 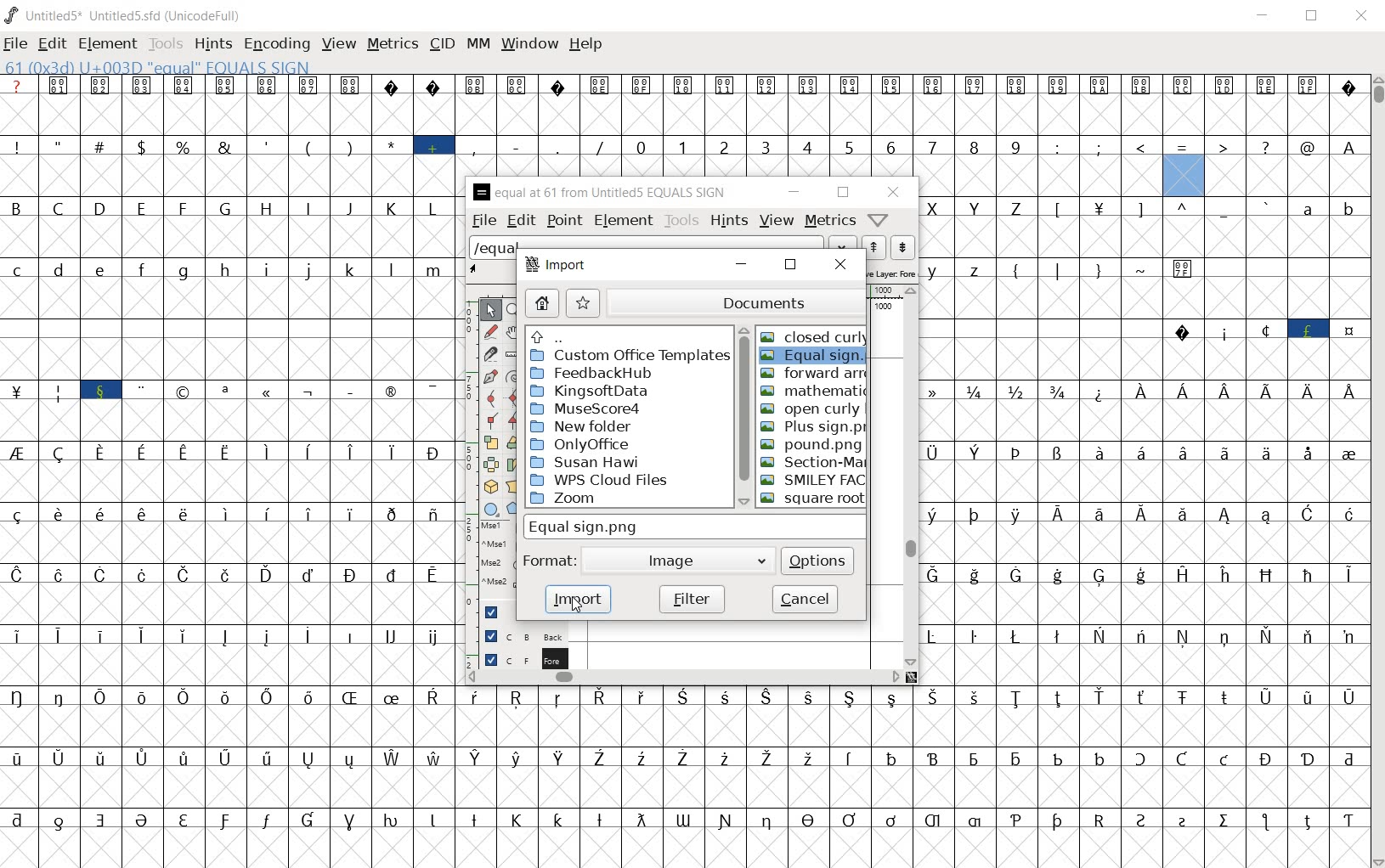 What do you see at coordinates (776, 222) in the screenshot?
I see `view` at bounding box center [776, 222].